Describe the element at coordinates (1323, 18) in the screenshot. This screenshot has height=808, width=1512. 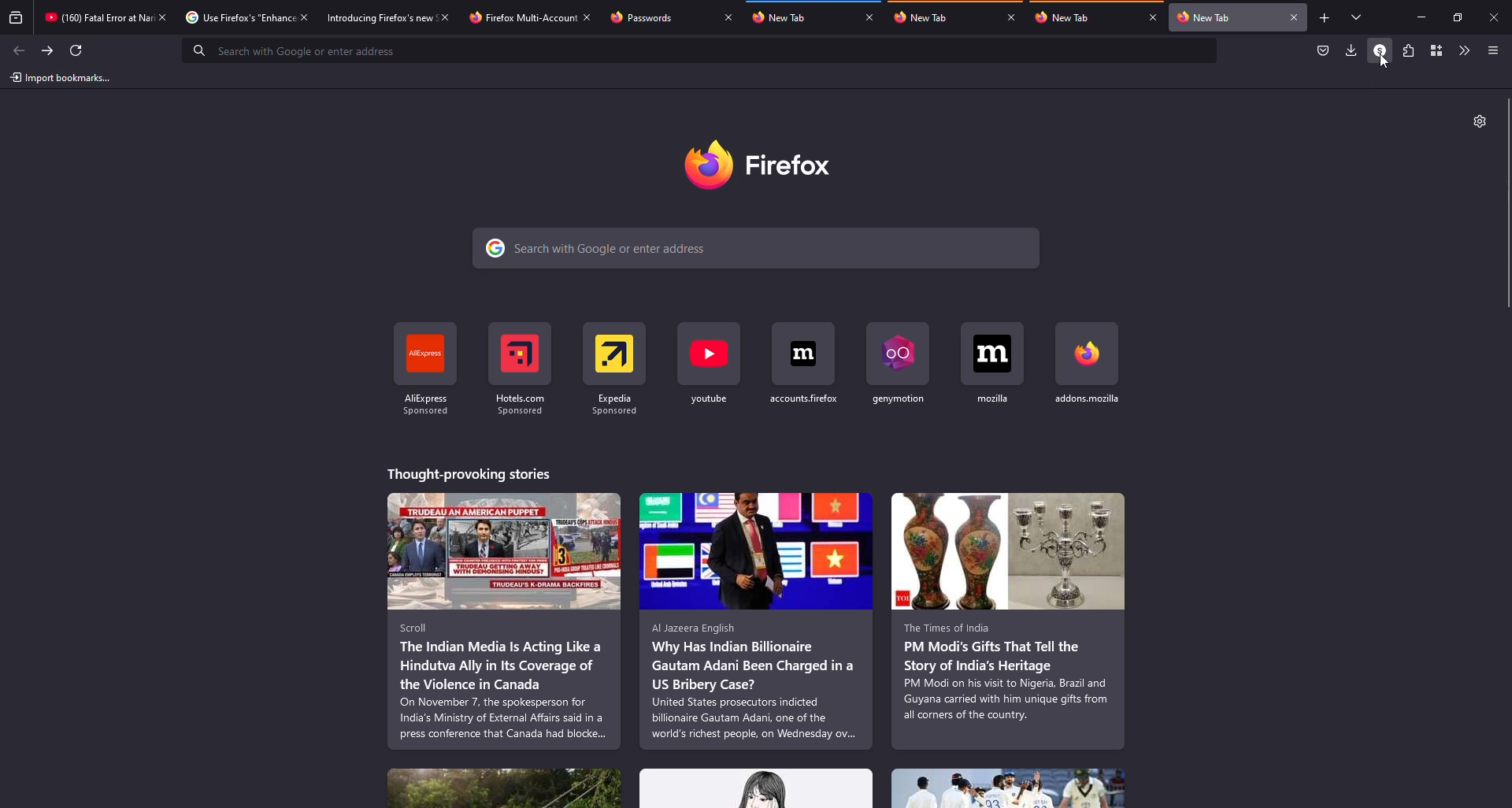
I see `add` at that location.